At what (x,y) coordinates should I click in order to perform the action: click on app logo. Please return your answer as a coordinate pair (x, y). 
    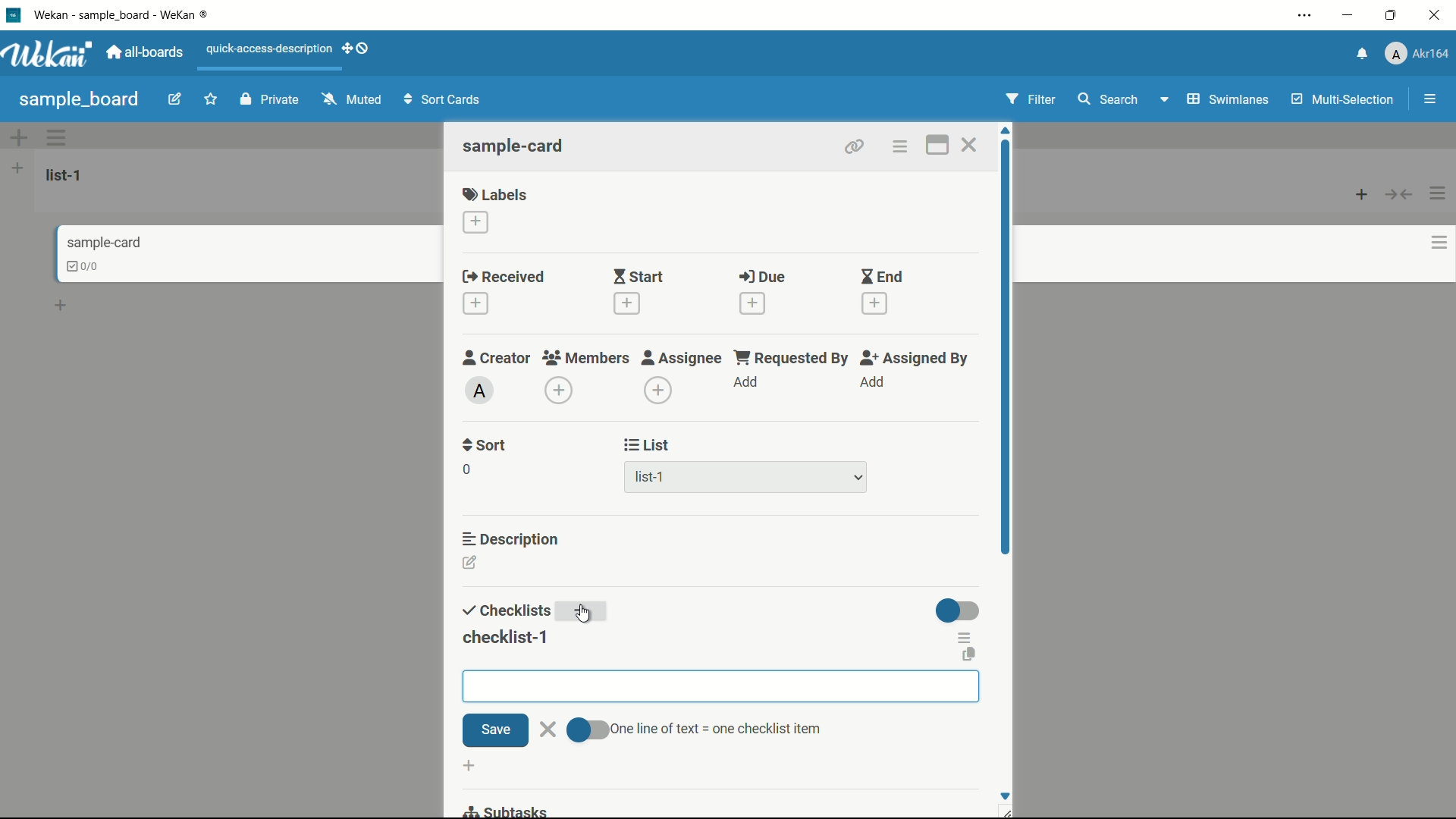
    Looking at the image, I should click on (47, 54).